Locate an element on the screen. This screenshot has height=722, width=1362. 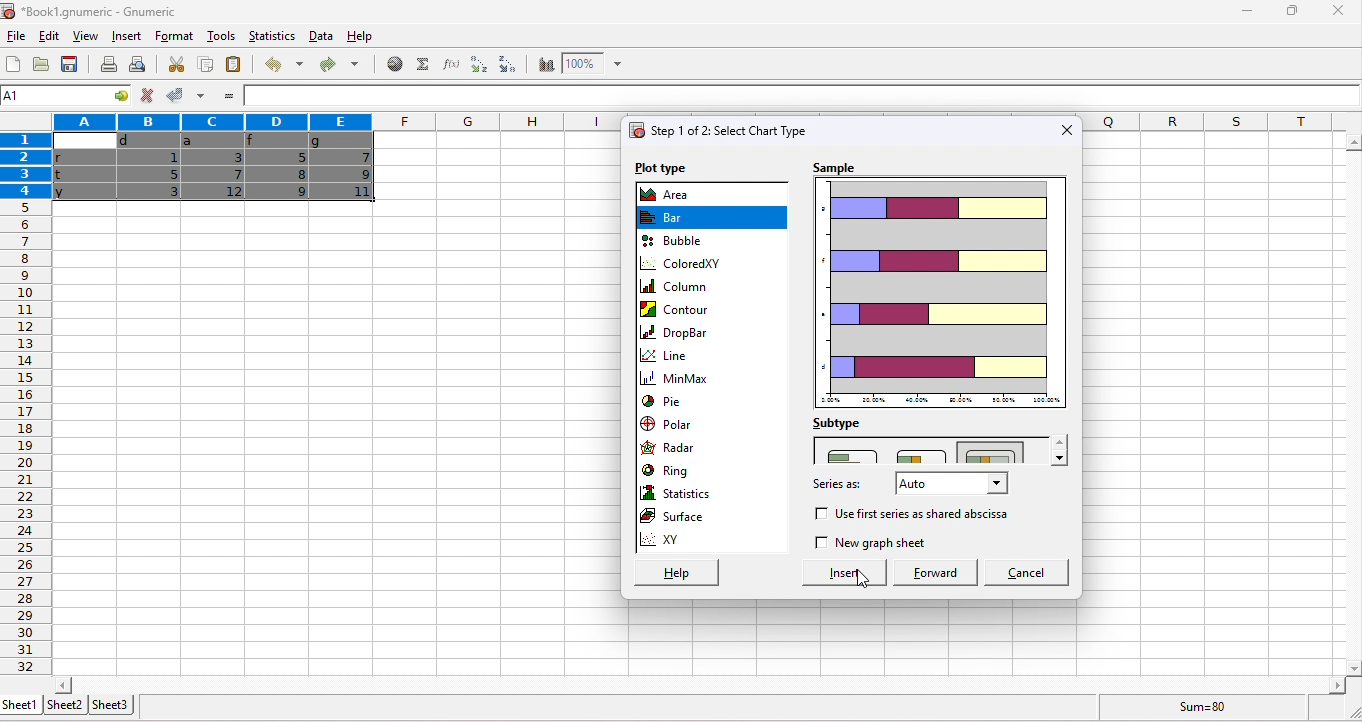
cell options is located at coordinates (117, 96).